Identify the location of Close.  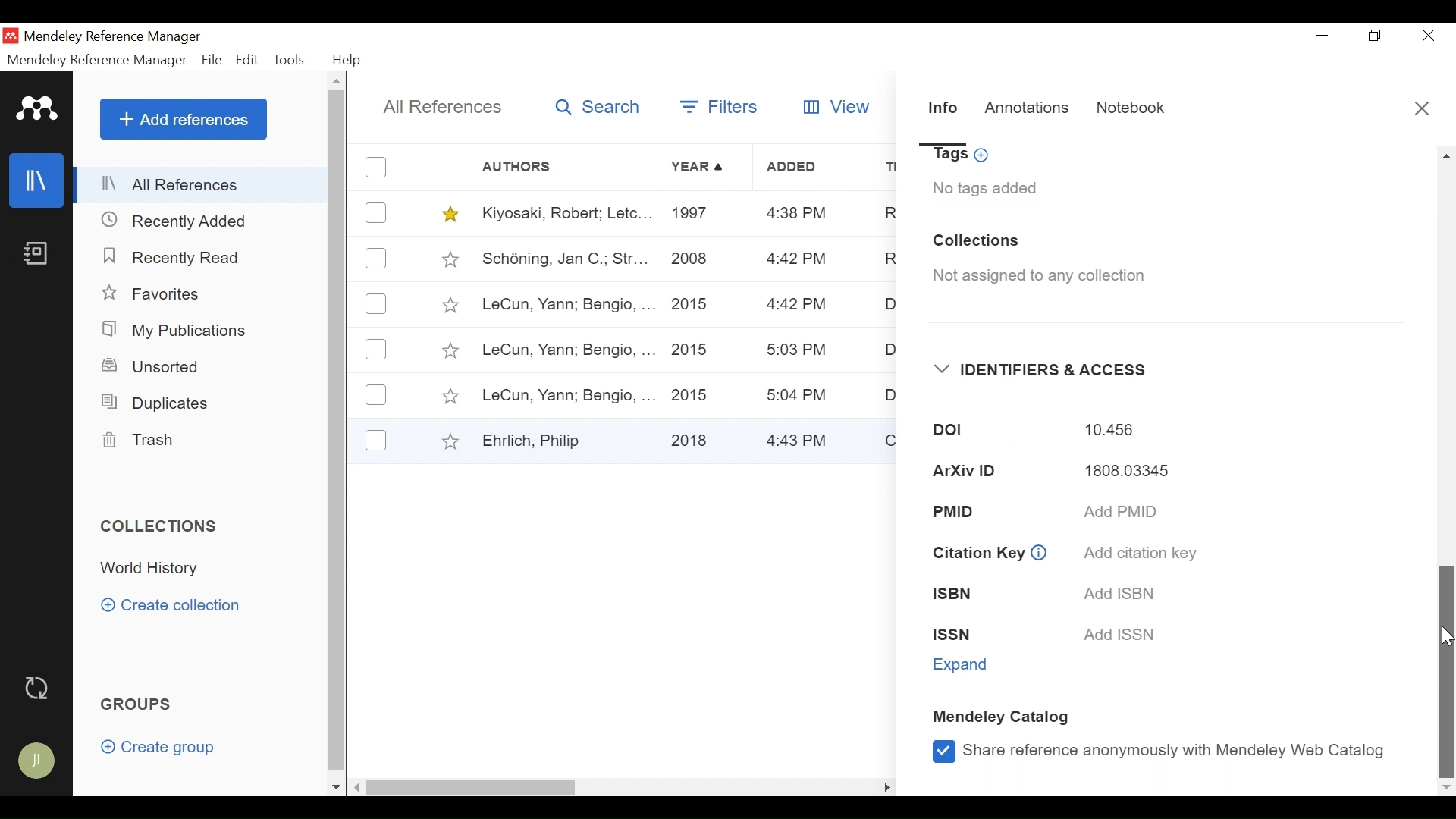
(1425, 36).